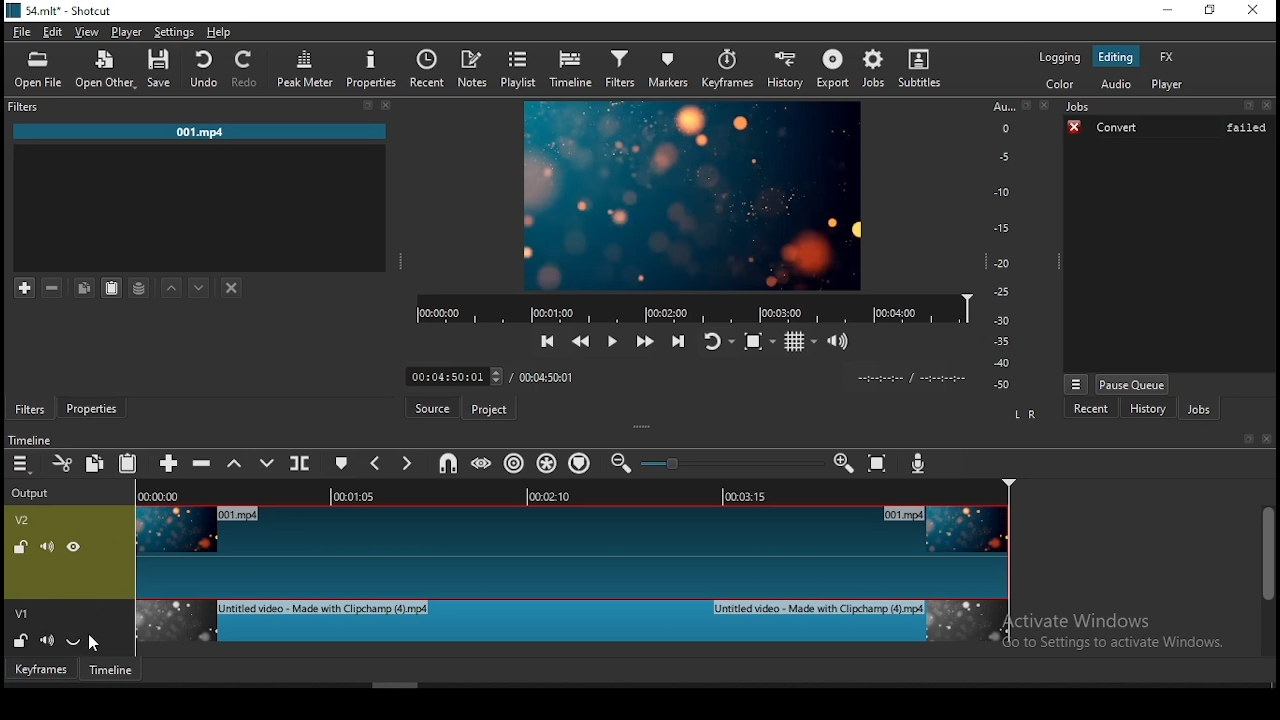 The height and width of the screenshot is (720, 1280). What do you see at coordinates (89, 32) in the screenshot?
I see `view` at bounding box center [89, 32].